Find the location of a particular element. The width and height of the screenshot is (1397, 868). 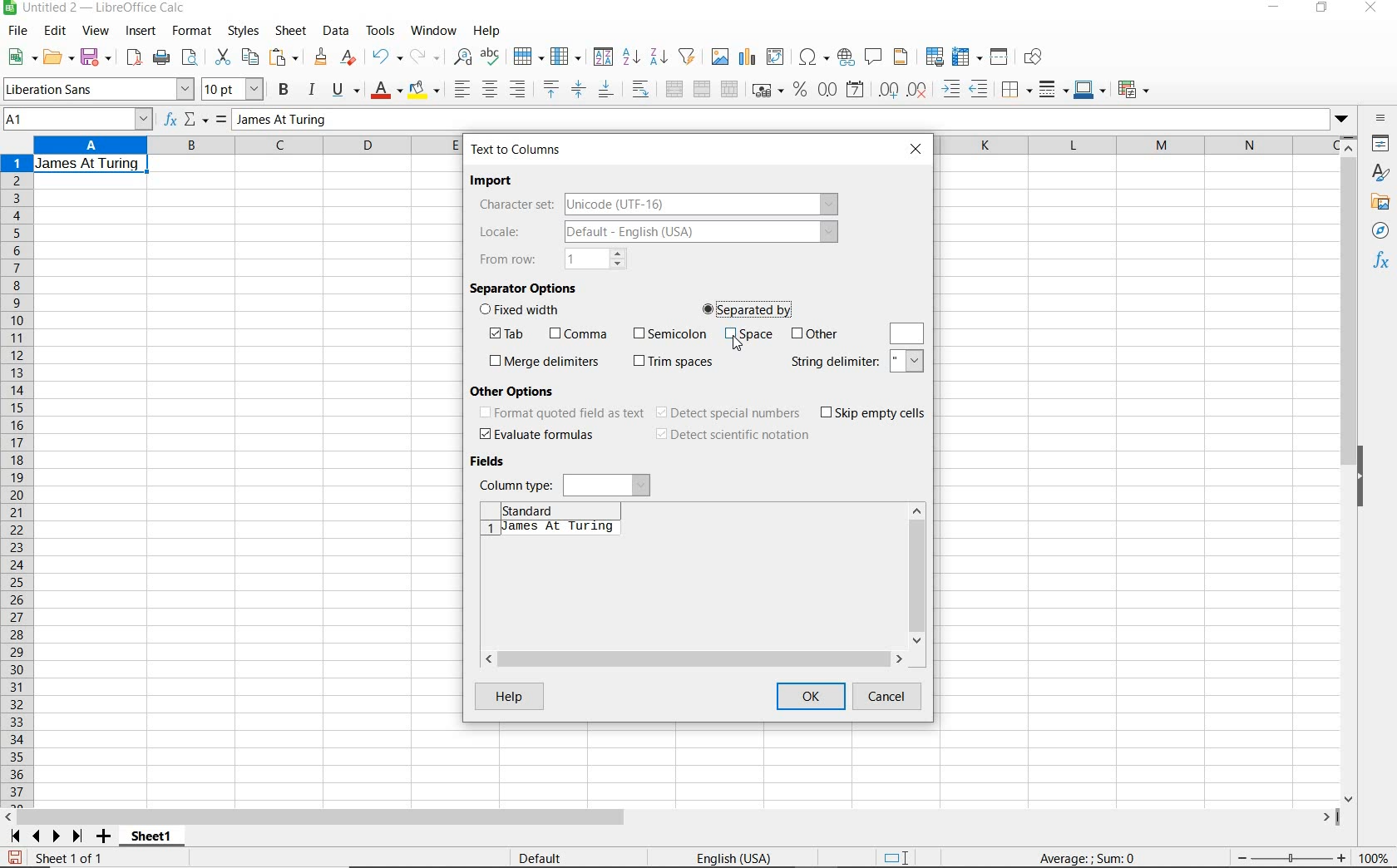

background color is located at coordinates (425, 89).